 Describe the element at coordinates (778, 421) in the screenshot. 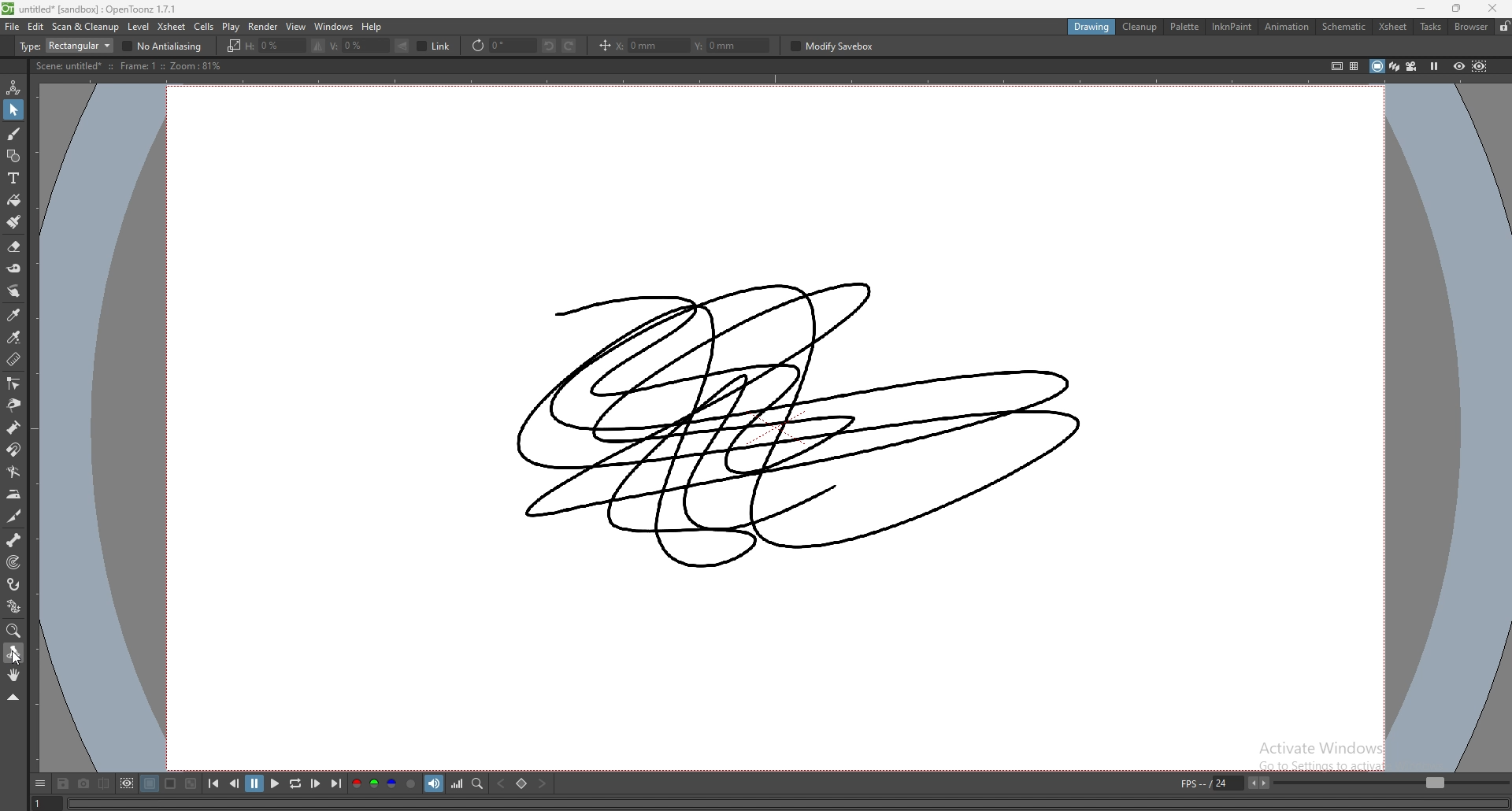

I see `drawing` at that location.